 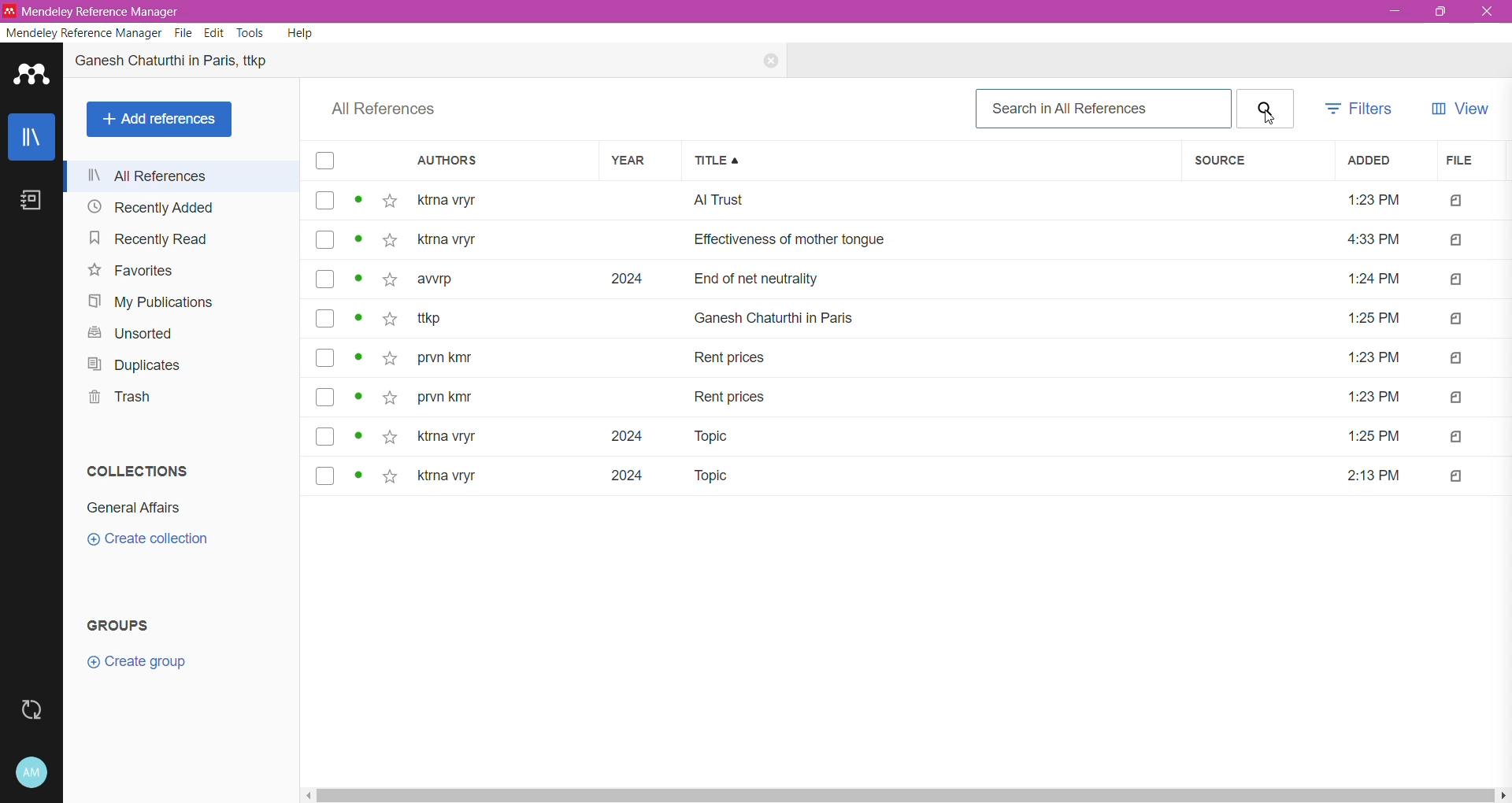 What do you see at coordinates (391, 240) in the screenshot?
I see `add to favorites` at bounding box center [391, 240].